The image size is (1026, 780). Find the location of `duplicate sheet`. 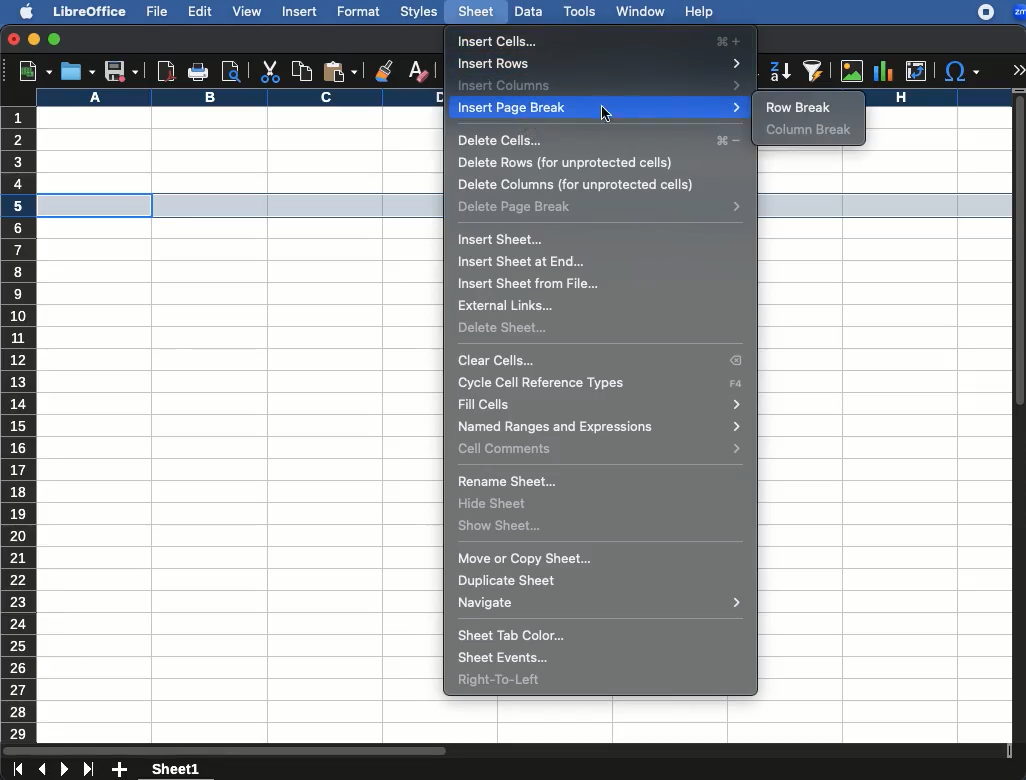

duplicate sheet is located at coordinates (508, 582).